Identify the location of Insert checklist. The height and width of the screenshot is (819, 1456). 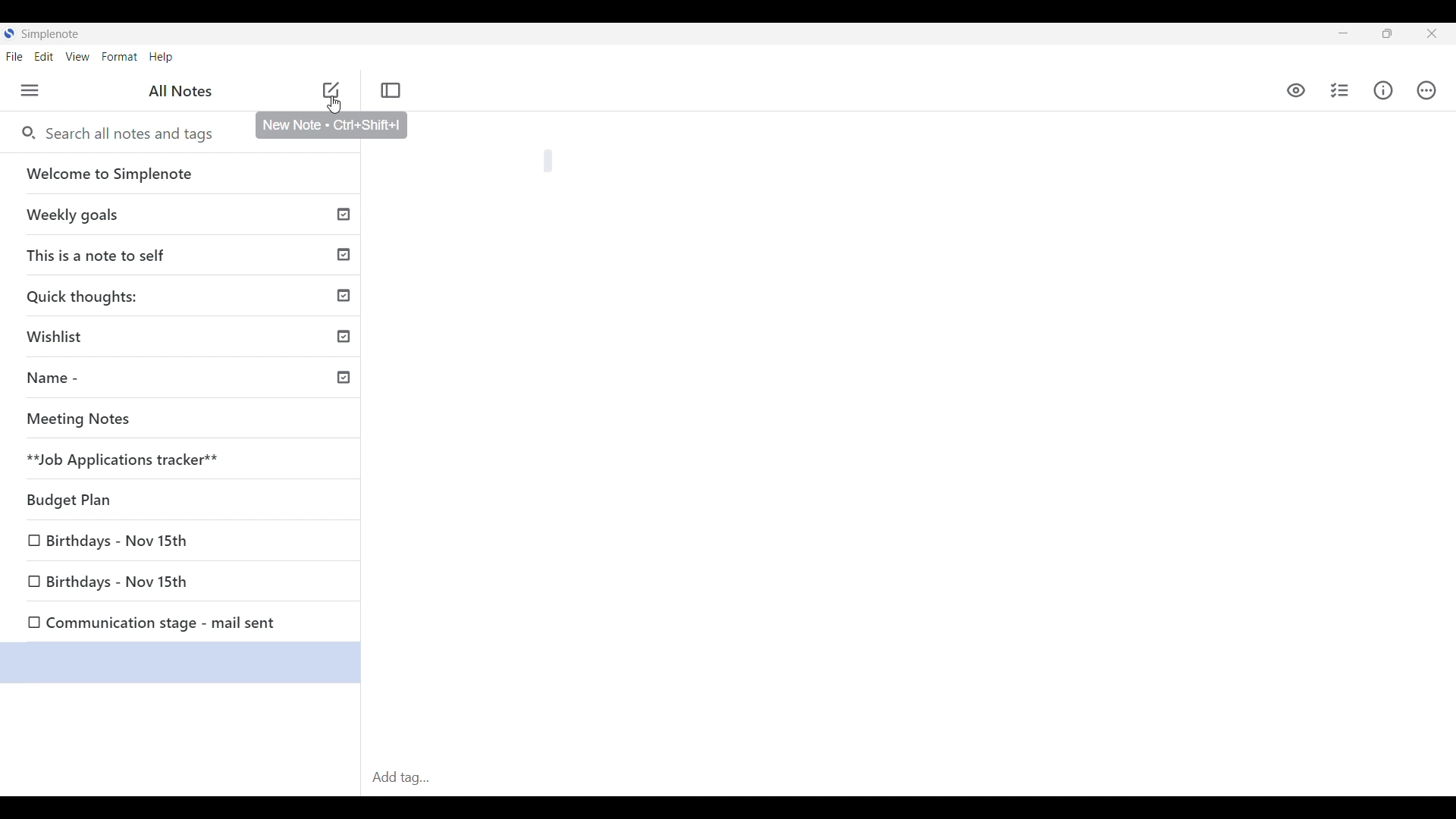
(1341, 90).